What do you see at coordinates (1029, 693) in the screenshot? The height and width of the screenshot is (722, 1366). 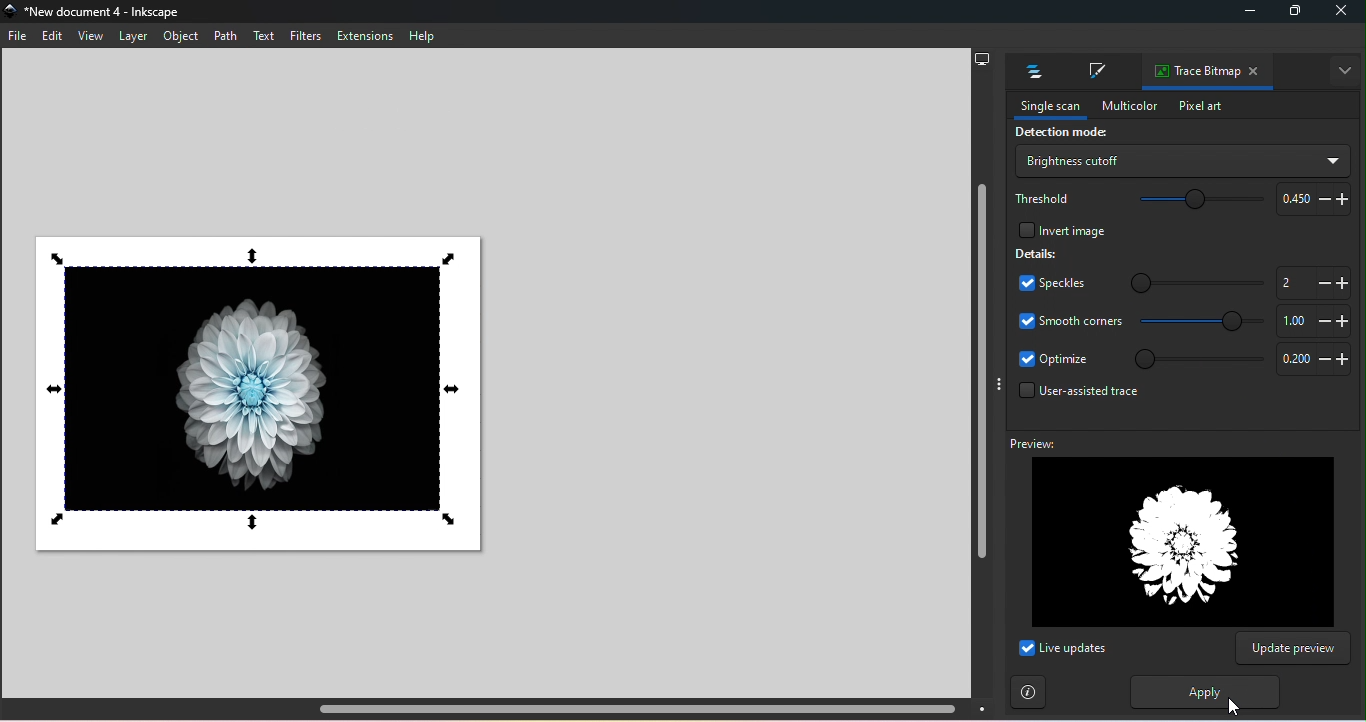 I see `Instructions` at bounding box center [1029, 693].